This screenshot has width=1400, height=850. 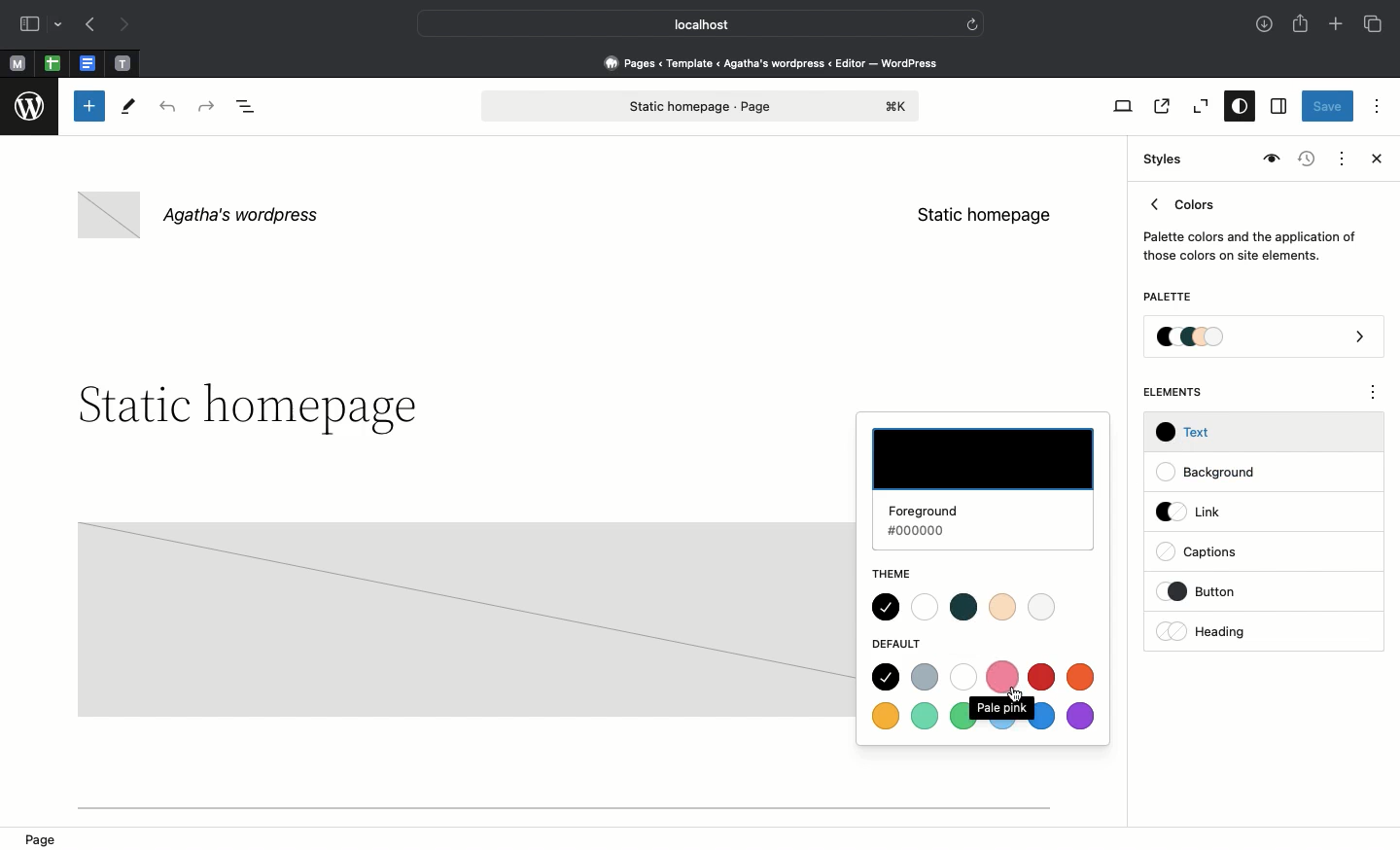 I want to click on Document overview, so click(x=250, y=108).